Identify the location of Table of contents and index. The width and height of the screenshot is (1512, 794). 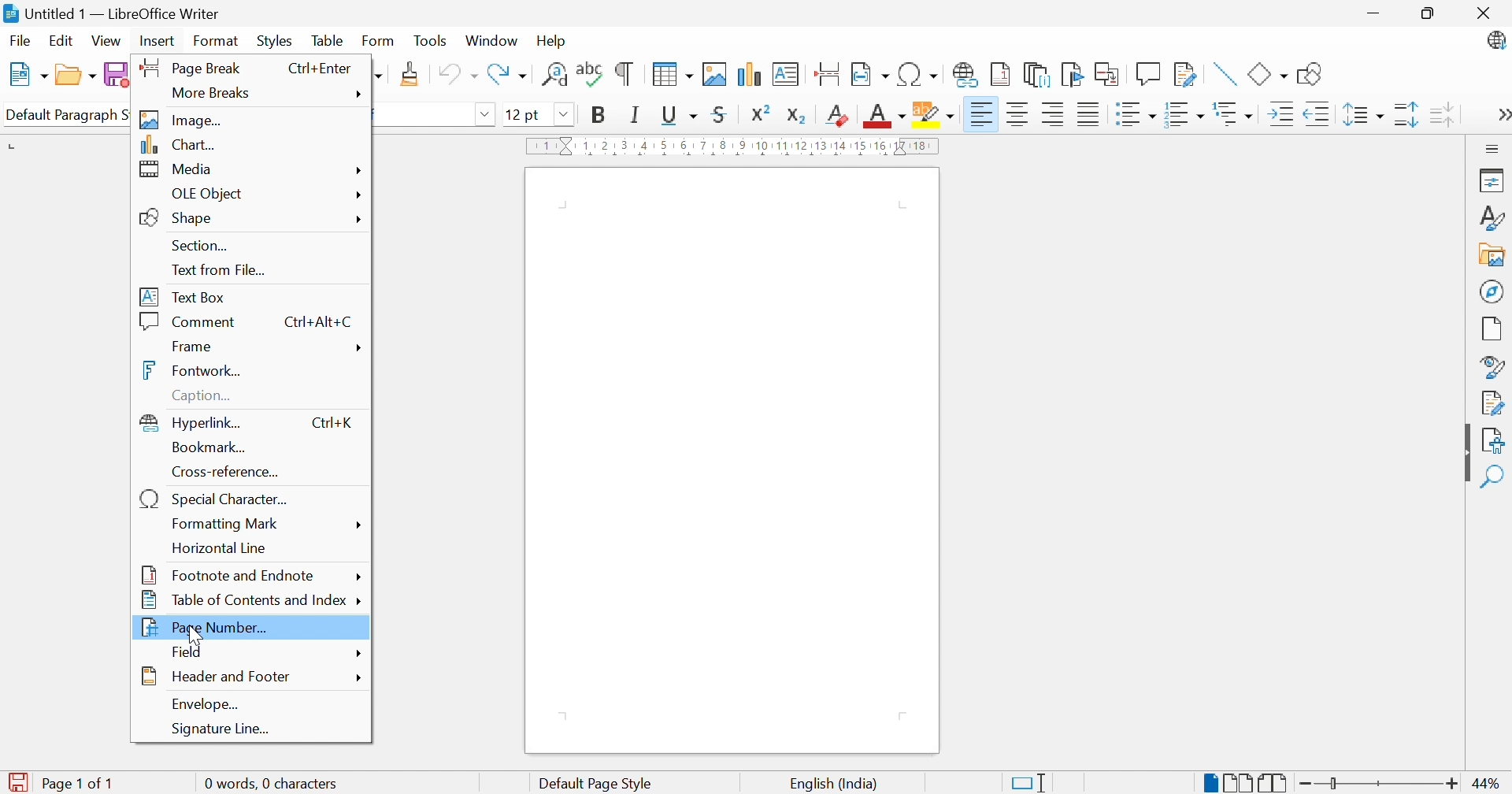
(243, 601).